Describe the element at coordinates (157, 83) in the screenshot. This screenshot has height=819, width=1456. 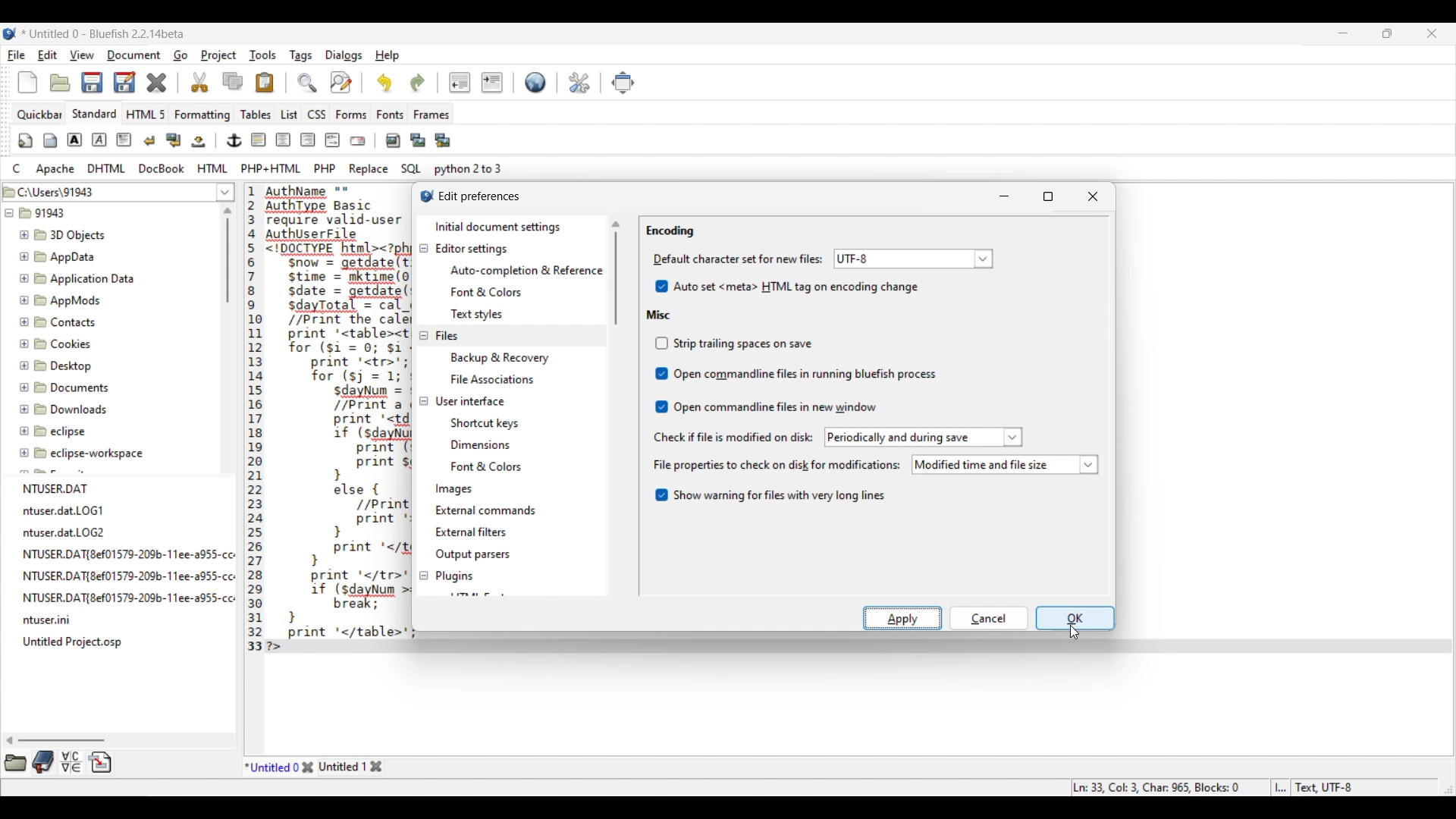
I see `Delete ` at that location.